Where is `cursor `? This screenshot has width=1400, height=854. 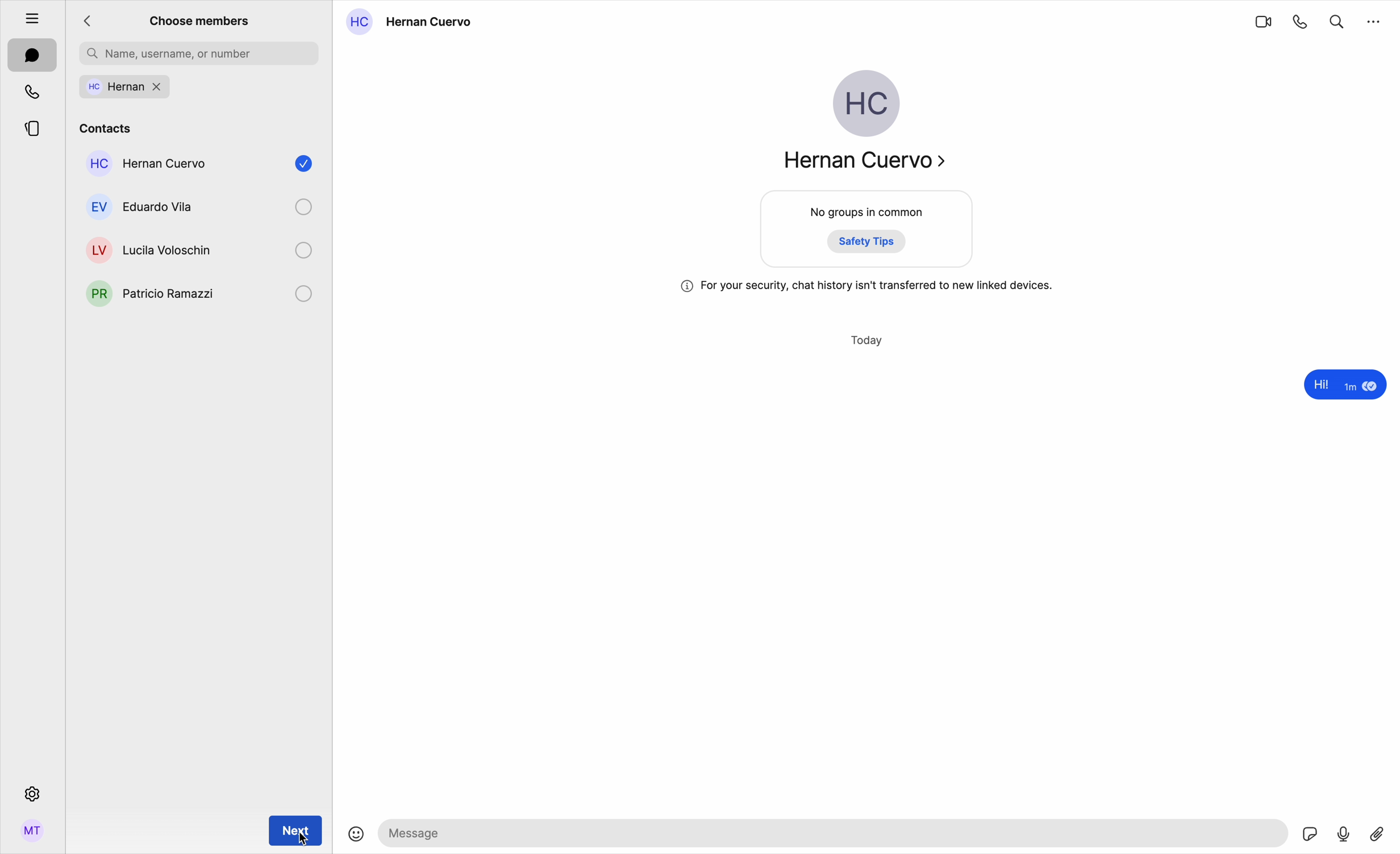 cursor  is located at coordinates (303, 838).